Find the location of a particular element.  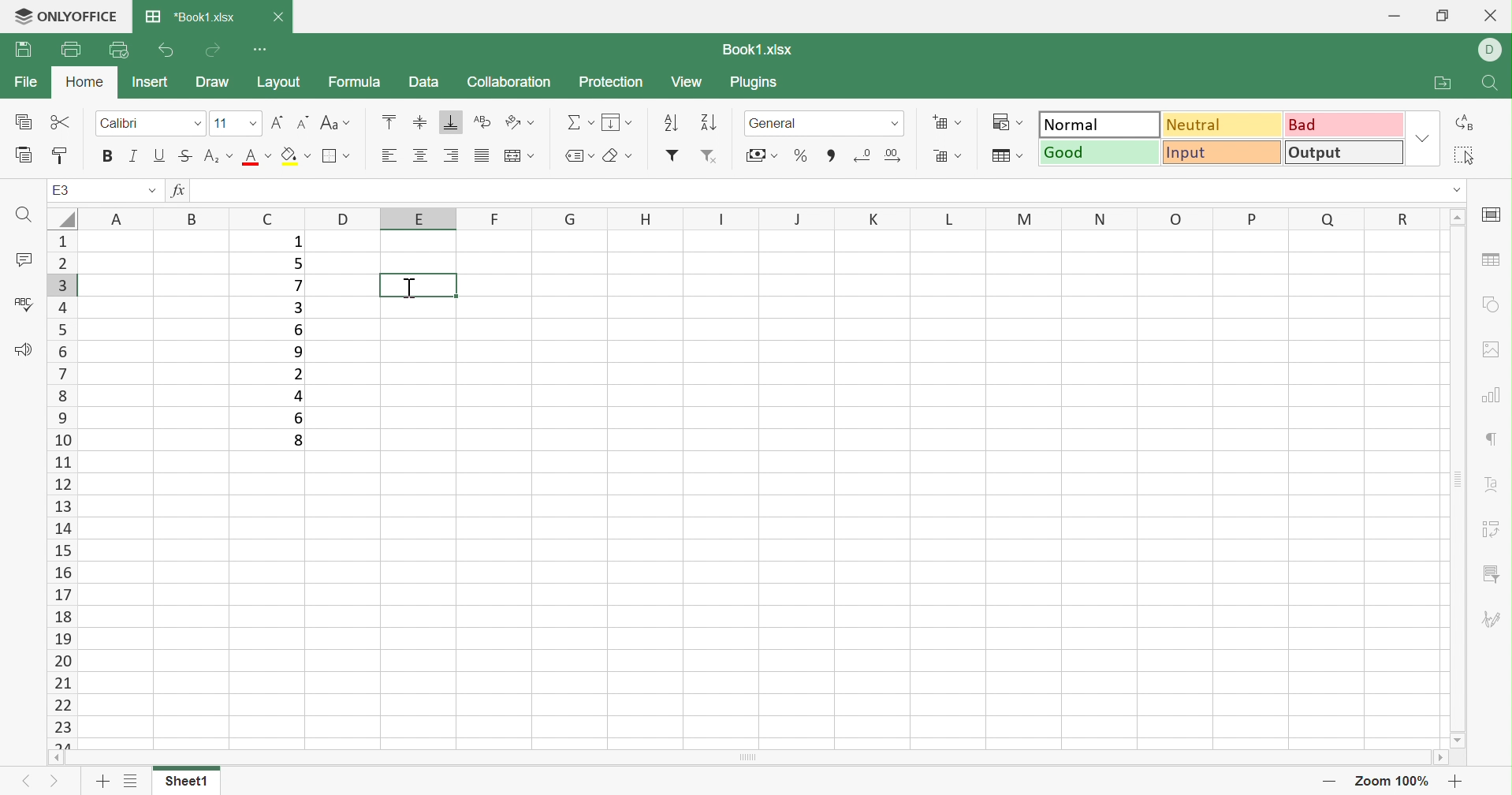

Remove filter is located at coordinates (710, 157).